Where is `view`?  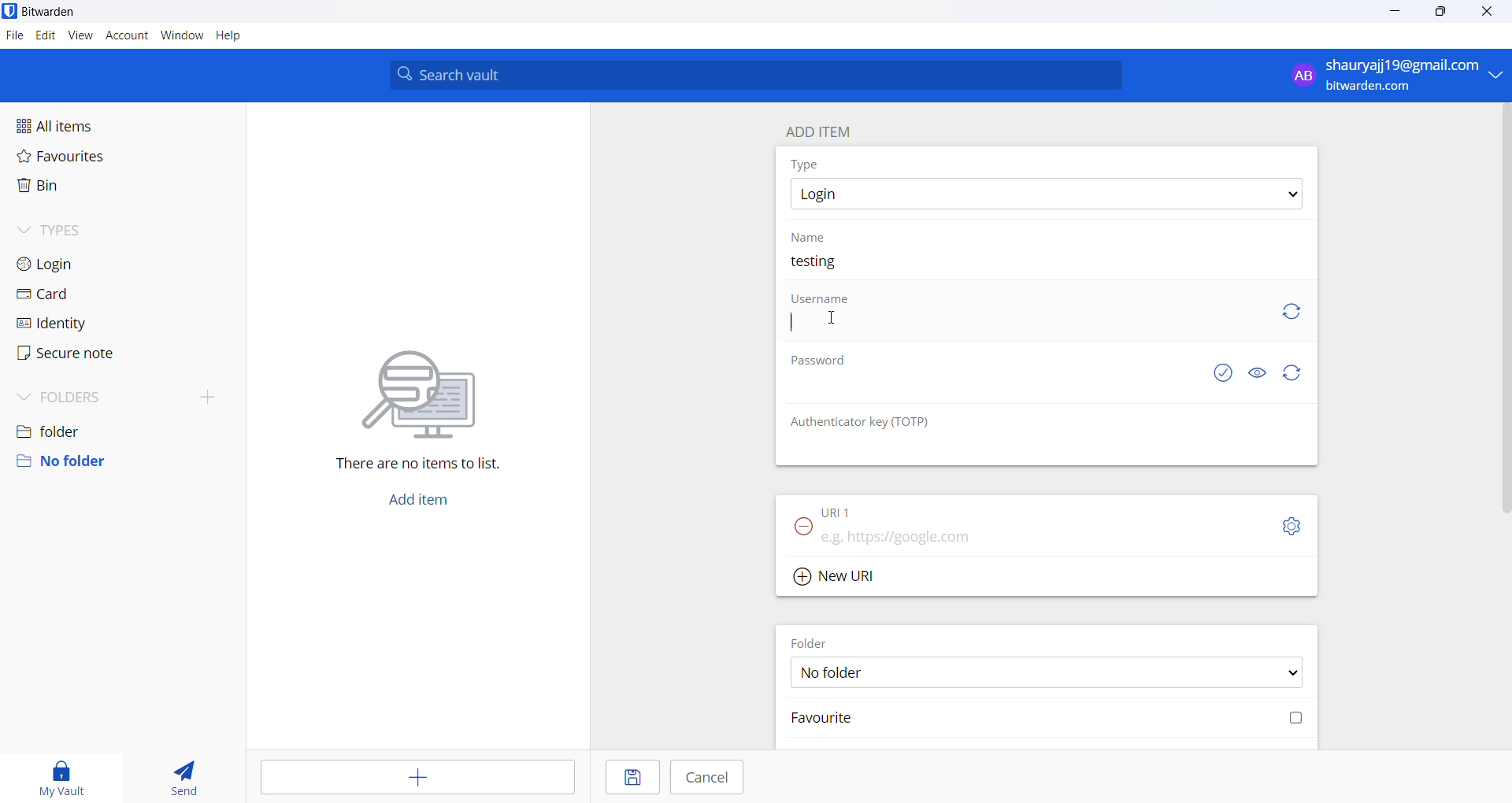
view is located at coordinates (78, 36).